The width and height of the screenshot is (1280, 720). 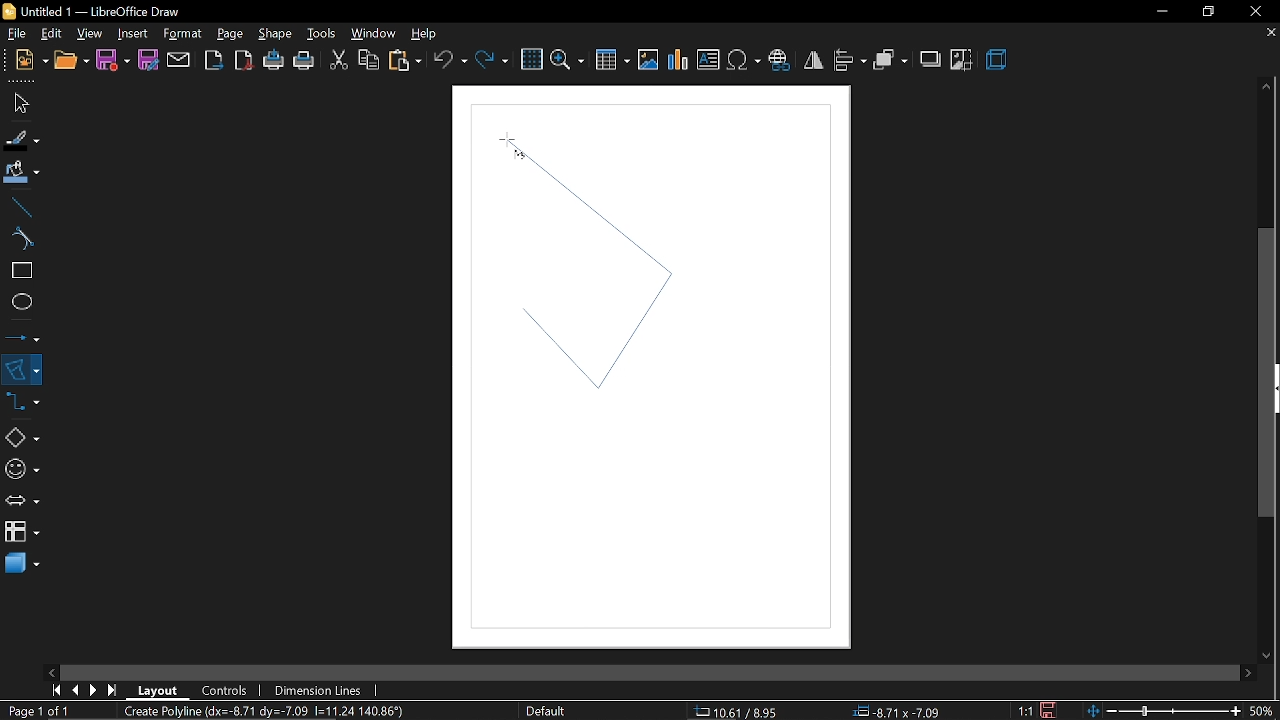 What do you see at coordinates (17, 34) in the screenshot?
I see `file` at bounding box center [17, 34].